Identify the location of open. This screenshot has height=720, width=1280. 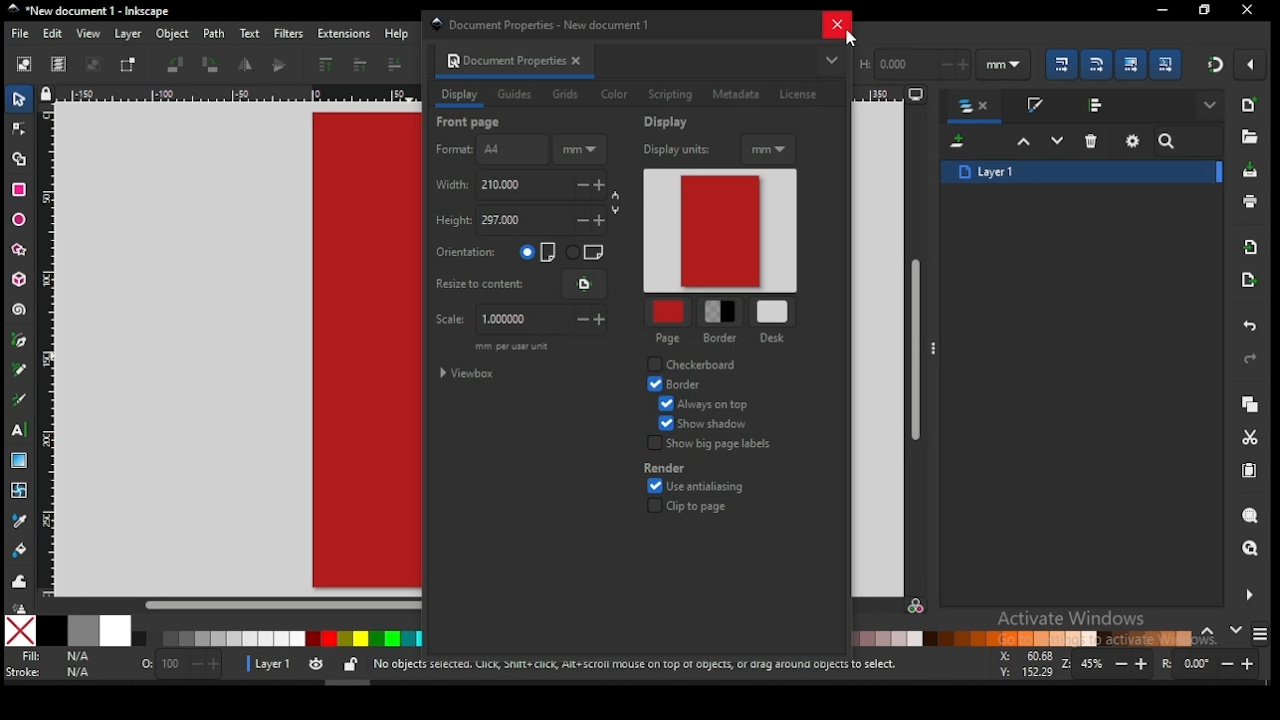
(1248, 137).